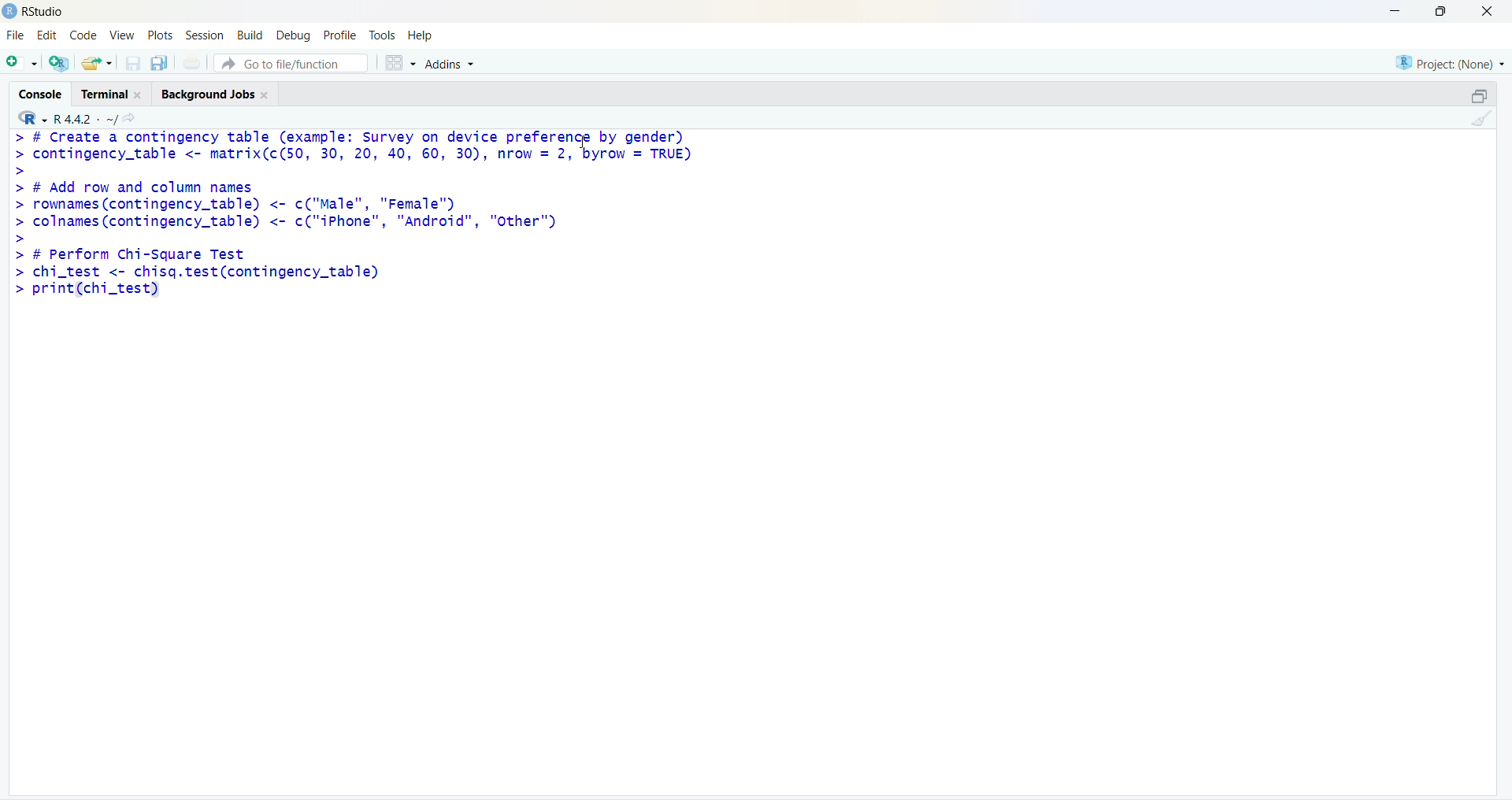 This screenshot has width=1512, height=800. I want to click on grid, so click(402, 64).